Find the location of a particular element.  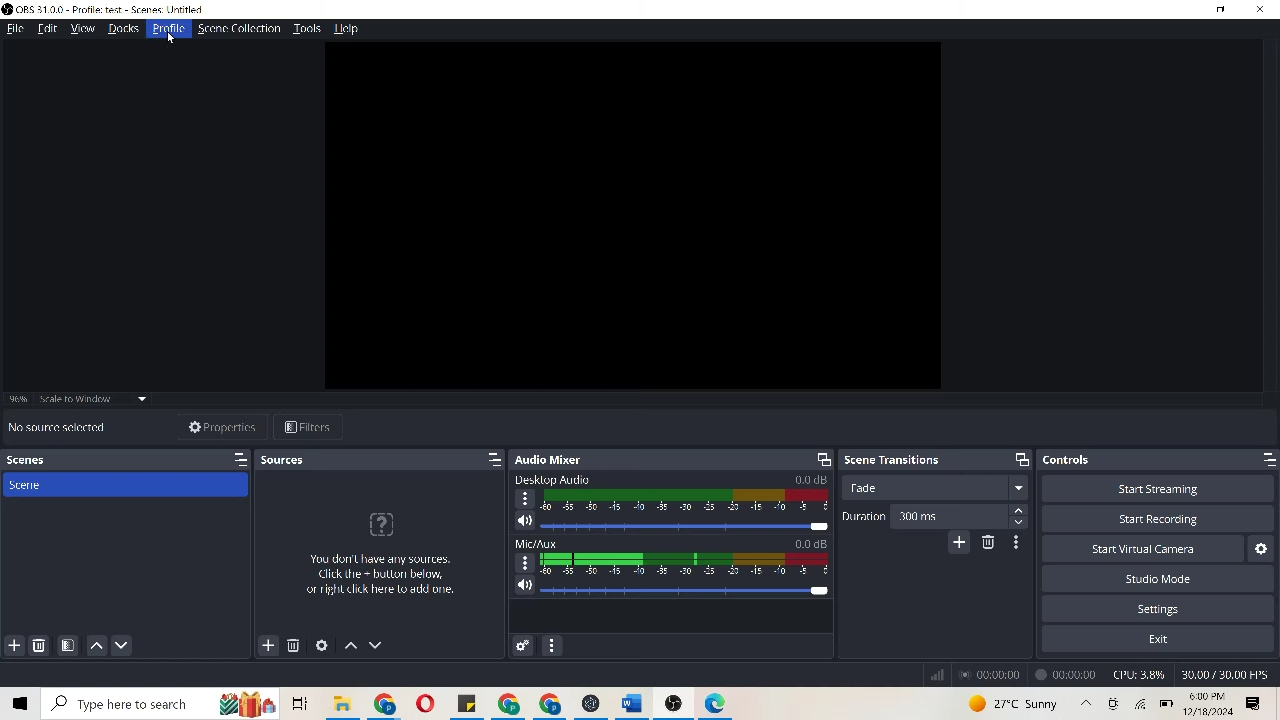

docks is located at coordinates (122, 28).